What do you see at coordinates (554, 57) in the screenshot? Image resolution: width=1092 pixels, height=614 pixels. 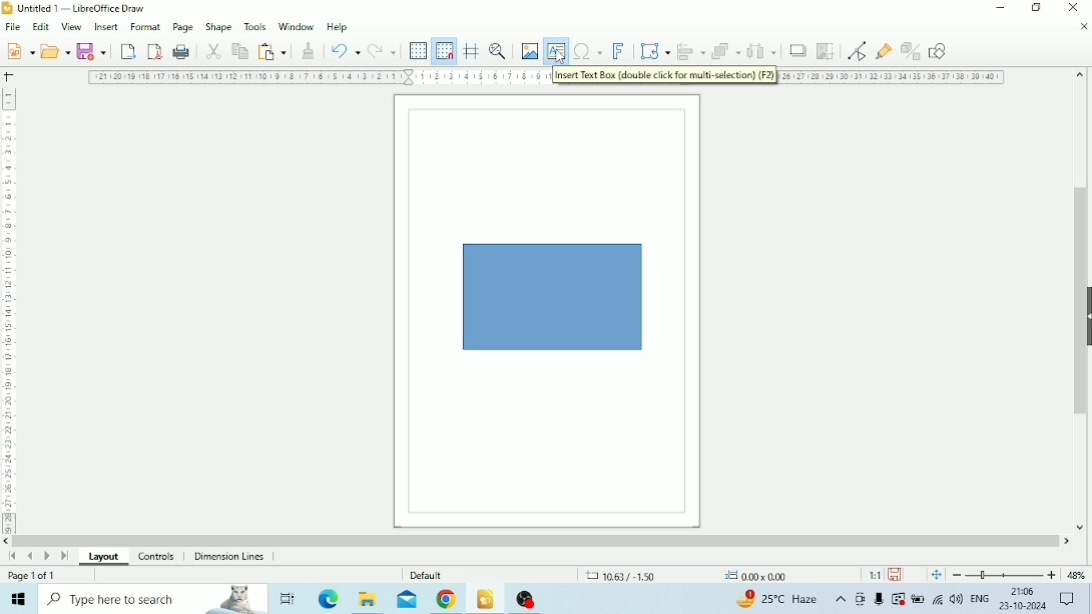 I see `cursor` at bounding box center [554, 57].